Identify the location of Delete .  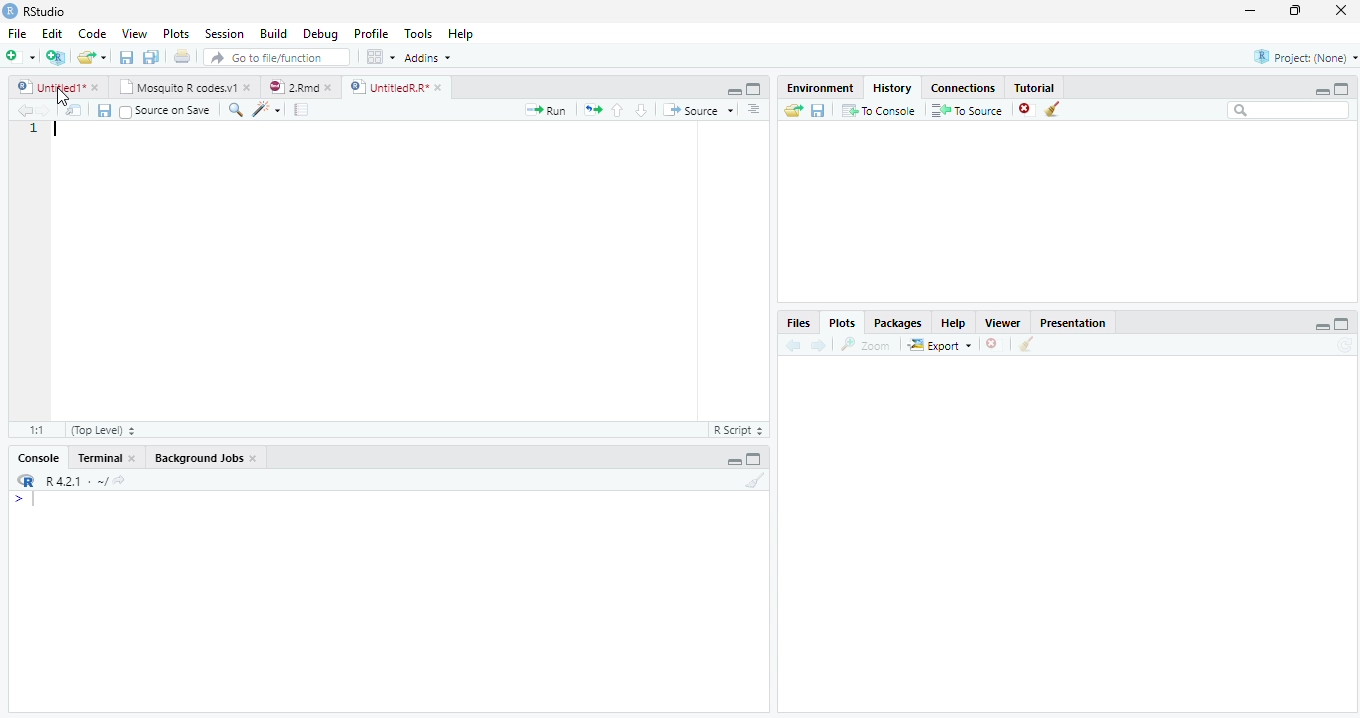
(1027, 110).